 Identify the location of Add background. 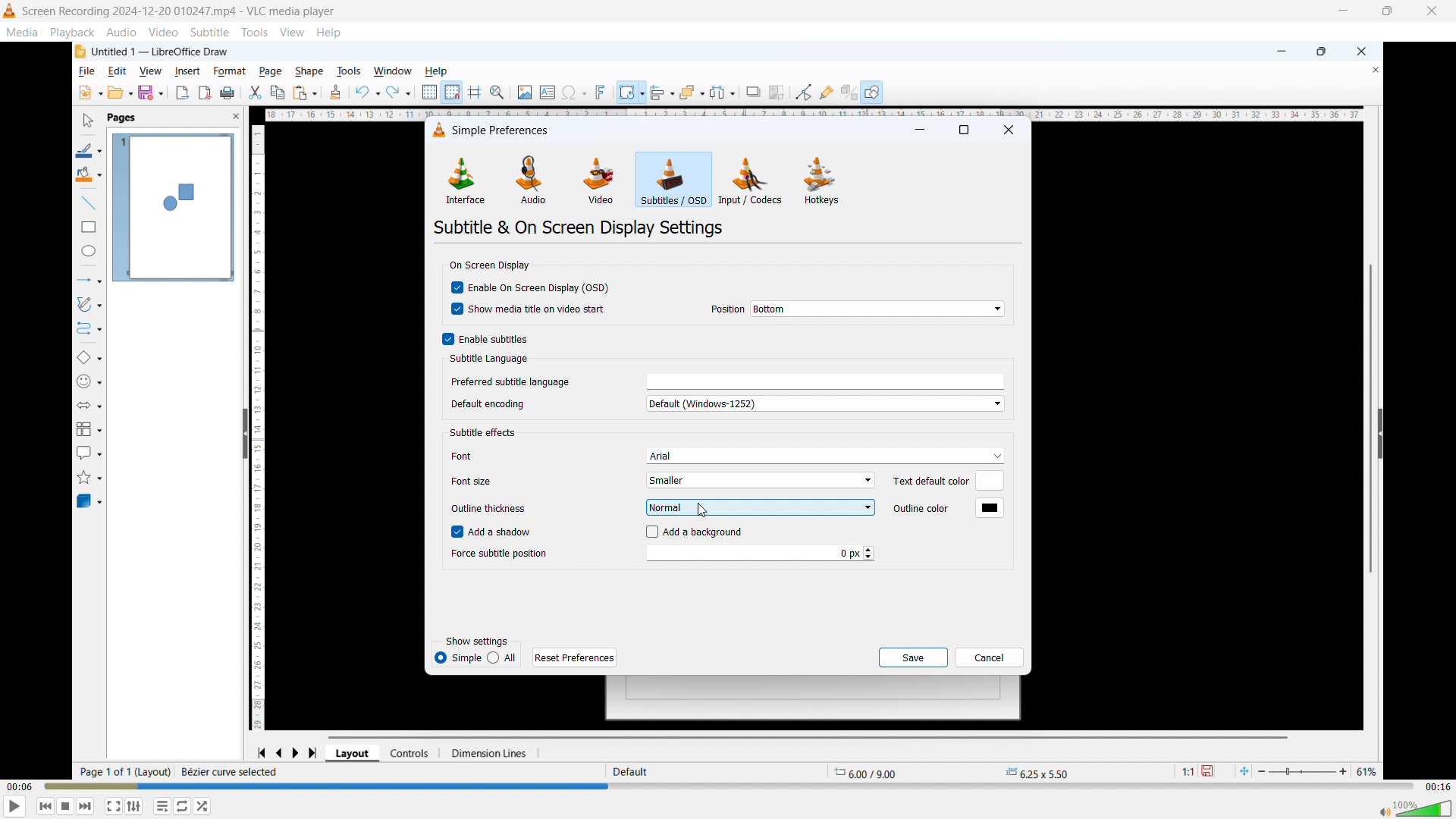
(694, 531).